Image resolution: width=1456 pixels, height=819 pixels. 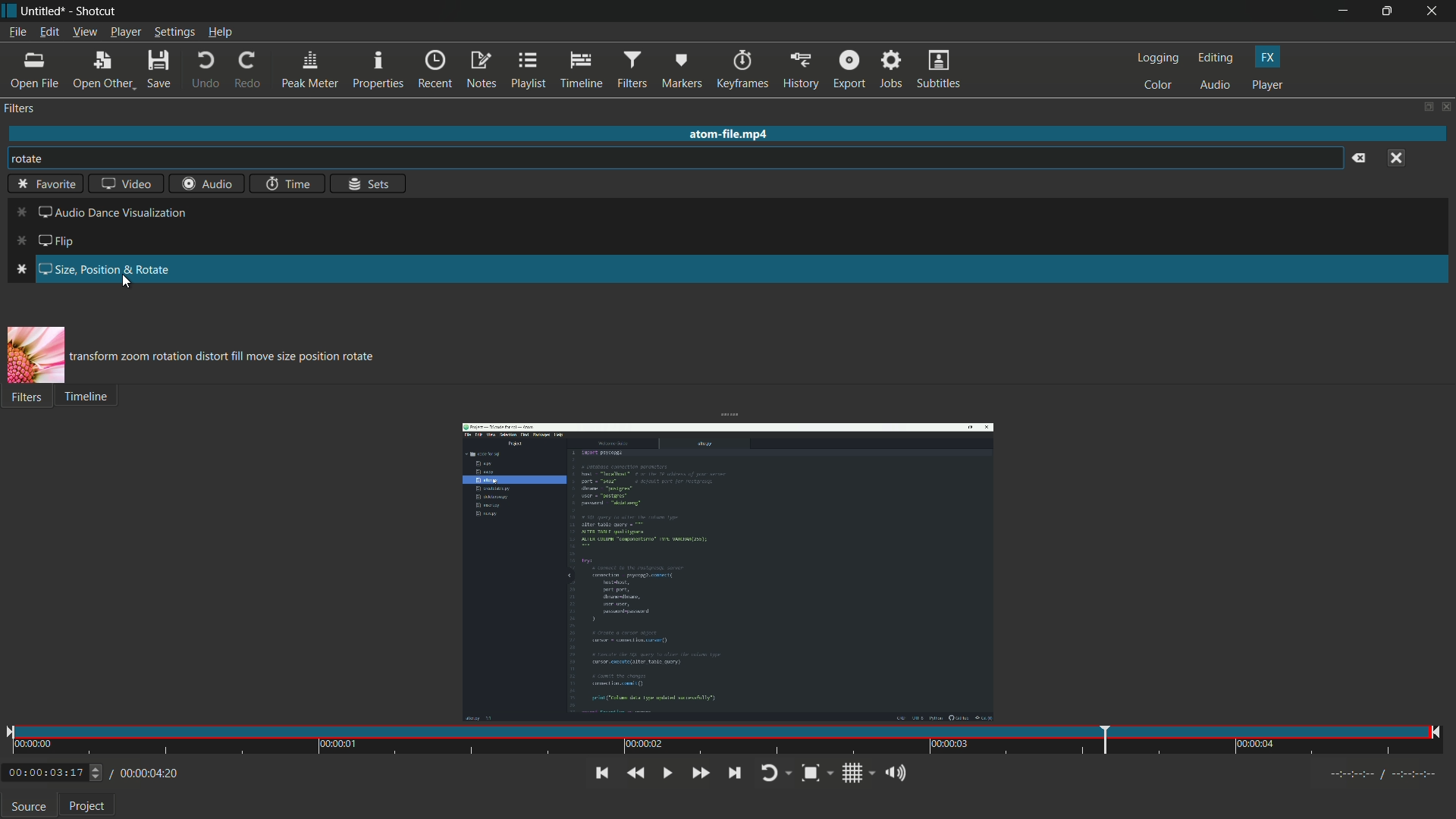 I want to click on markers, so click(x=679, y=72).